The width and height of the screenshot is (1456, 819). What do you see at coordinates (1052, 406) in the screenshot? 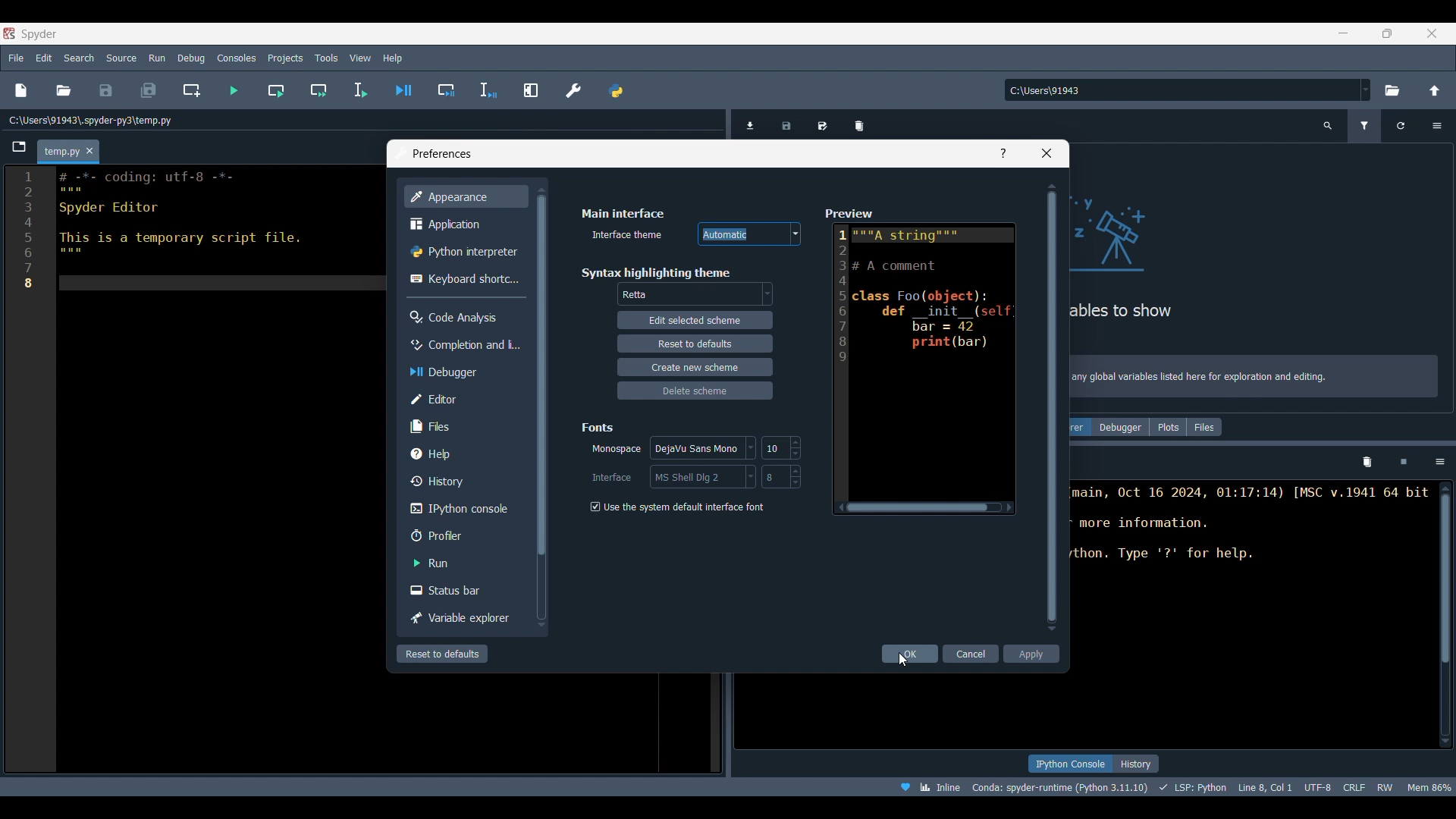
I see `Vertical slide bar` at bounding box center [1052, 406].